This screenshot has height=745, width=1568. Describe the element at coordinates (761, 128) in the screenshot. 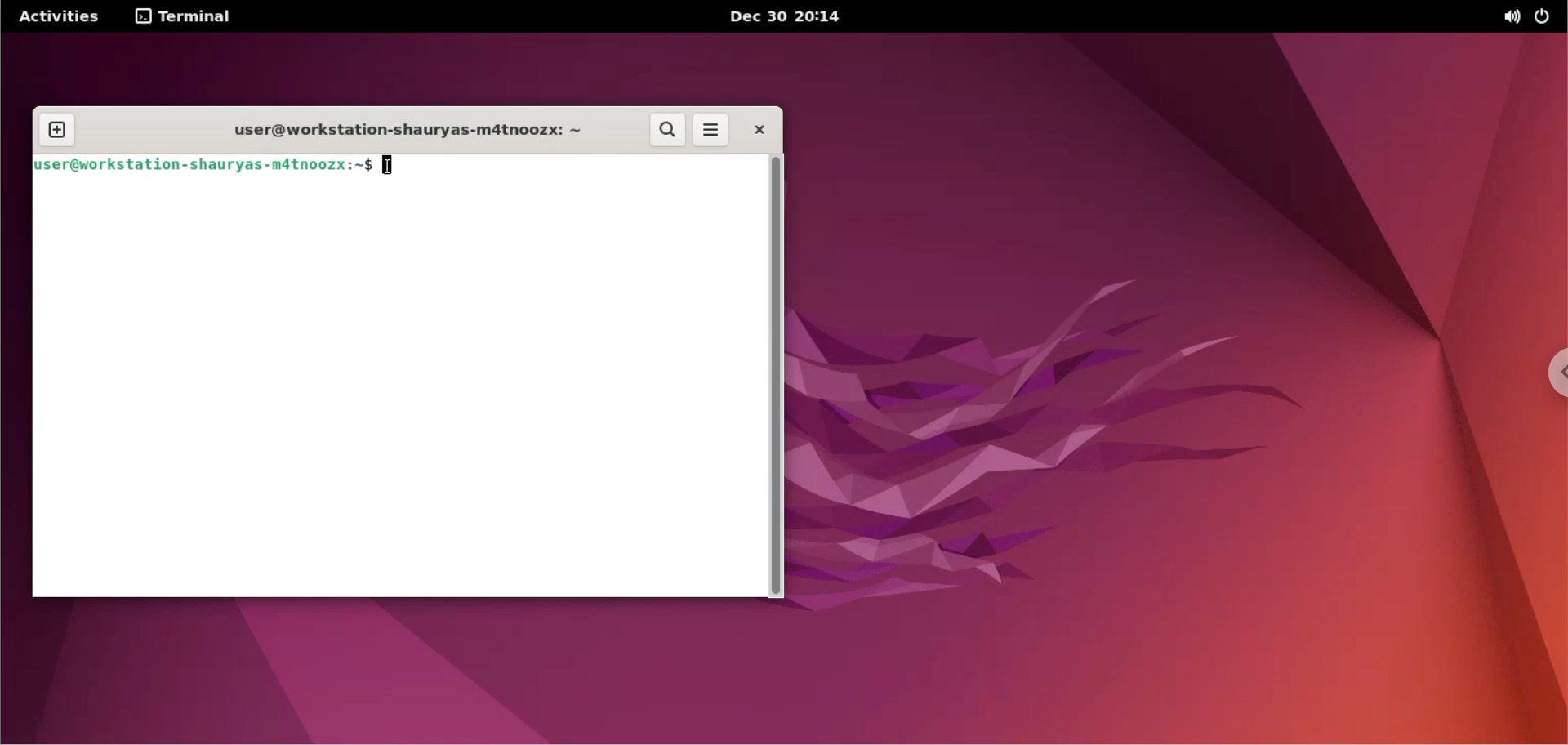

I see `close` at that location.